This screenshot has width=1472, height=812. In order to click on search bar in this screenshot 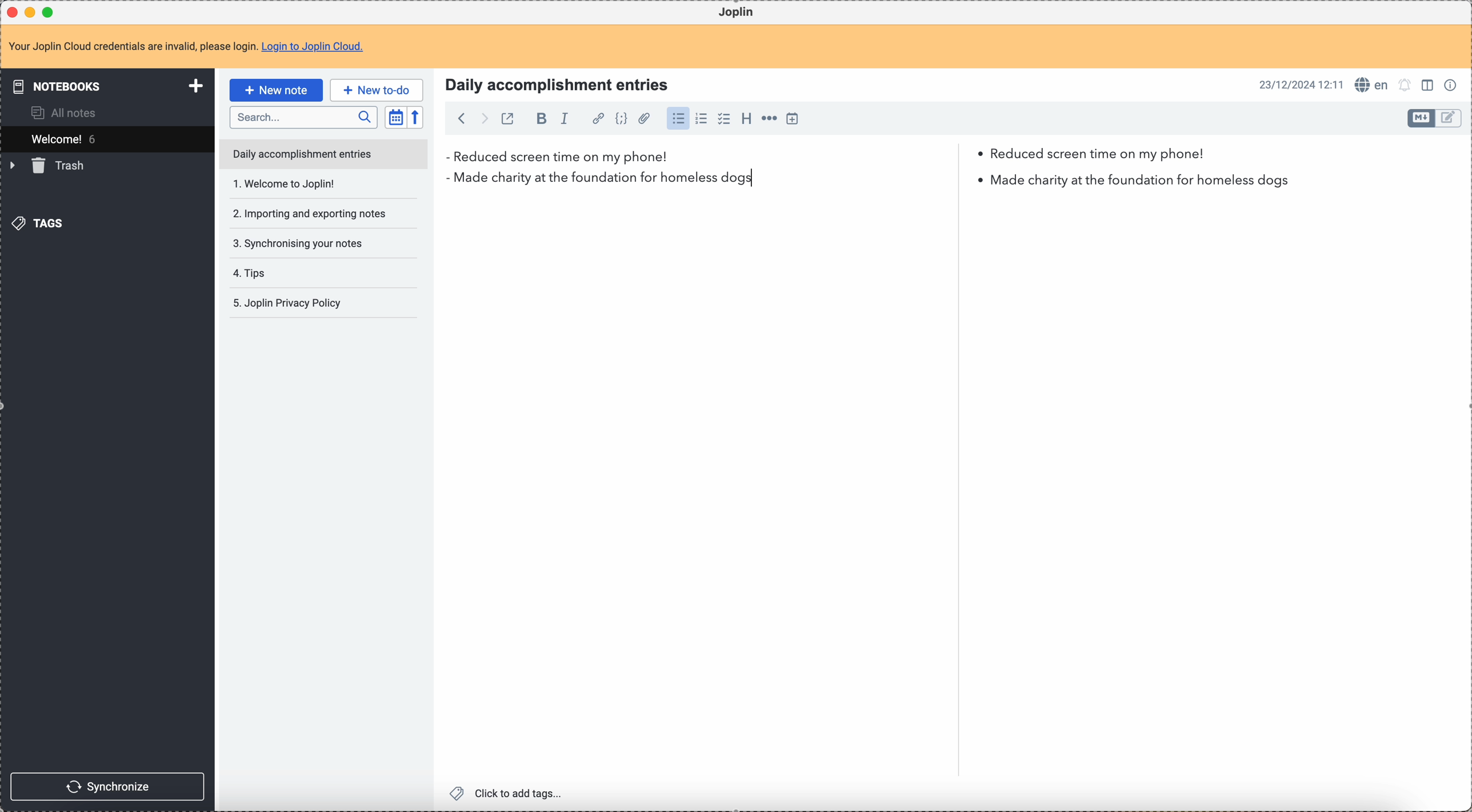, I will do `click(303, 116)`.